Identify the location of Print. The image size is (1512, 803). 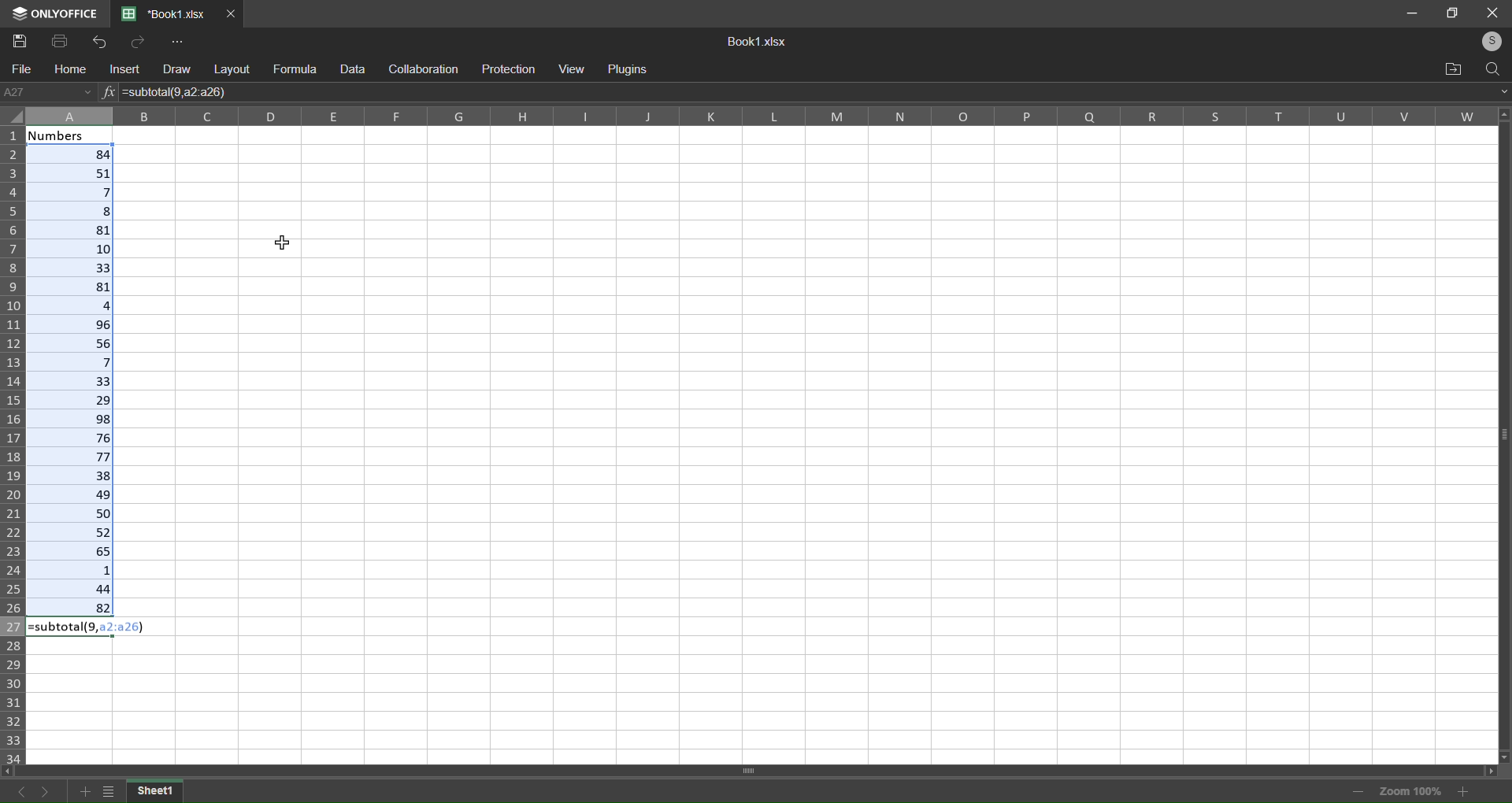
(58, 42).